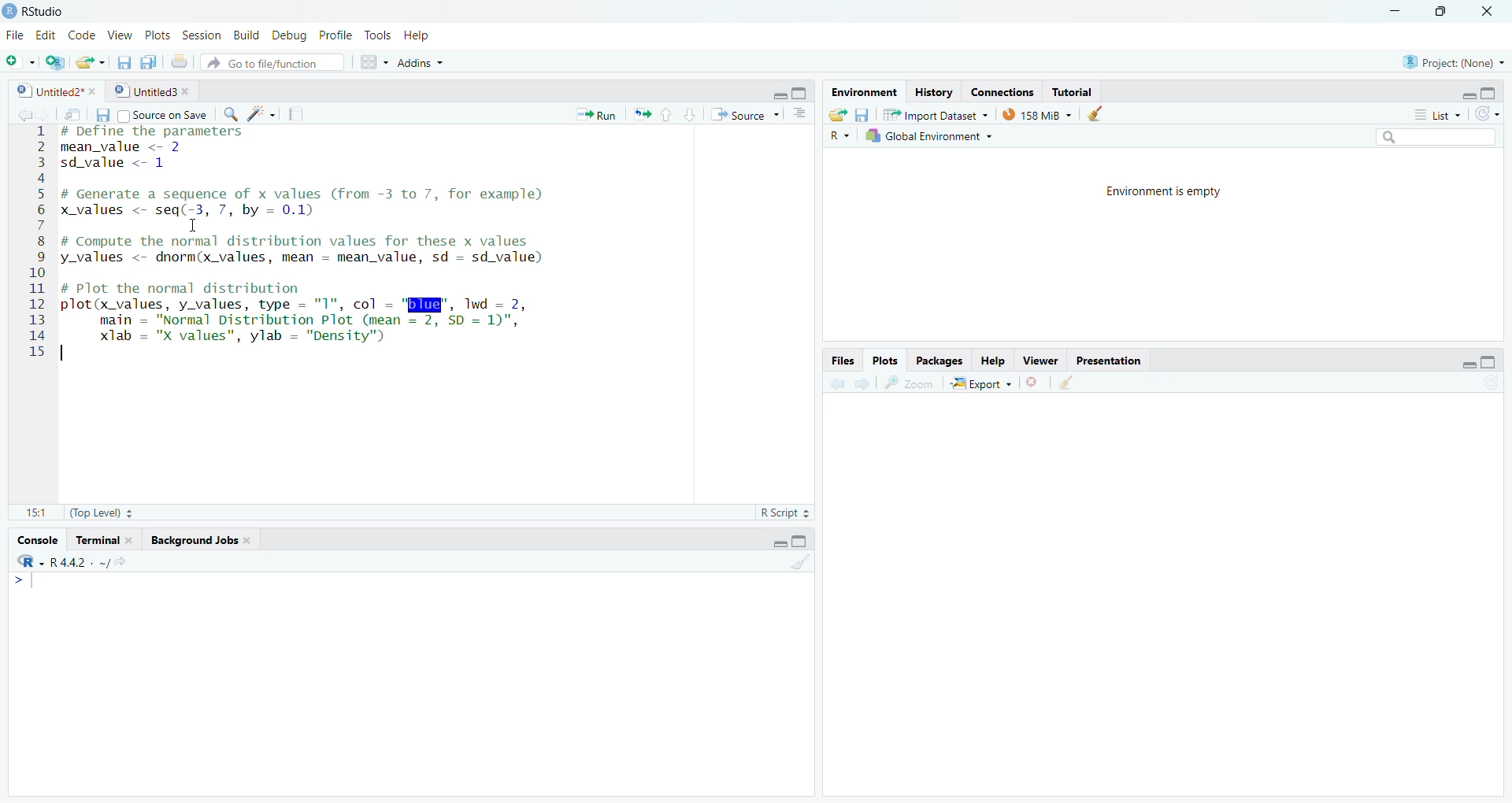 The height and width of the screenshot is (803, 1512). Describe the element at coordinates (1466, 92) in the screenshot. I see `Minimize/maximize` at that location.